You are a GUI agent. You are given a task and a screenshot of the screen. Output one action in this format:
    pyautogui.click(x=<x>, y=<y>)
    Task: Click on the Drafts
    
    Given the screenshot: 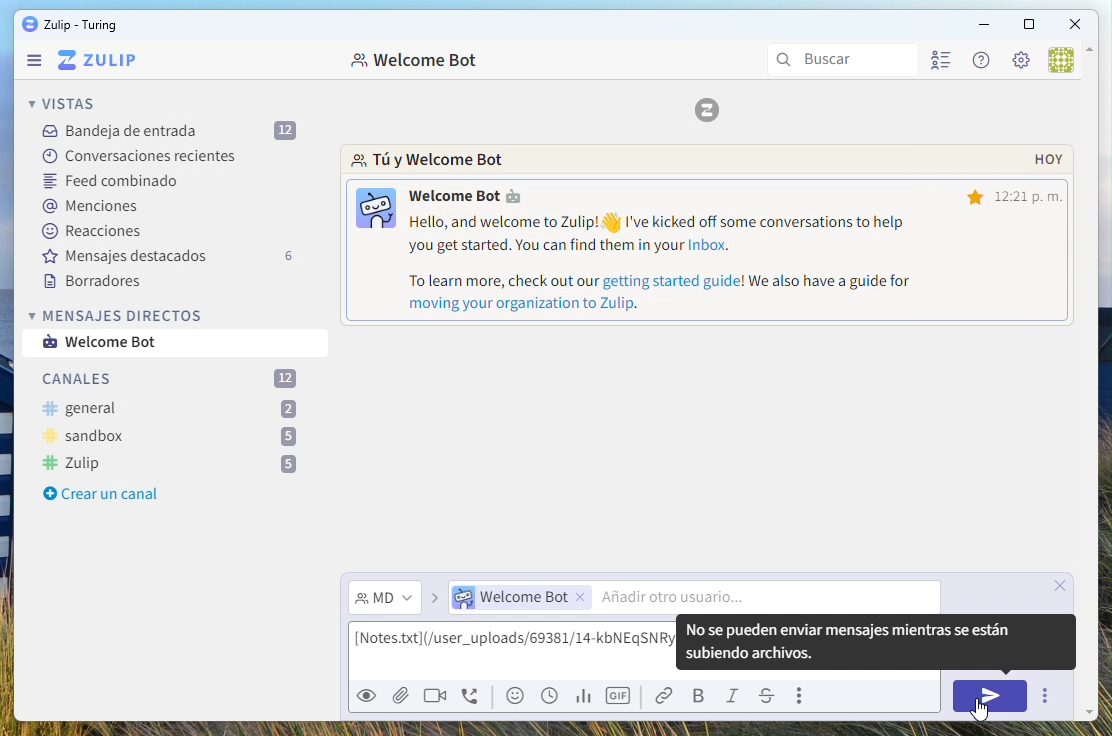 What is the action you would take?
    pyautogui.click(x=98, y=283)
    